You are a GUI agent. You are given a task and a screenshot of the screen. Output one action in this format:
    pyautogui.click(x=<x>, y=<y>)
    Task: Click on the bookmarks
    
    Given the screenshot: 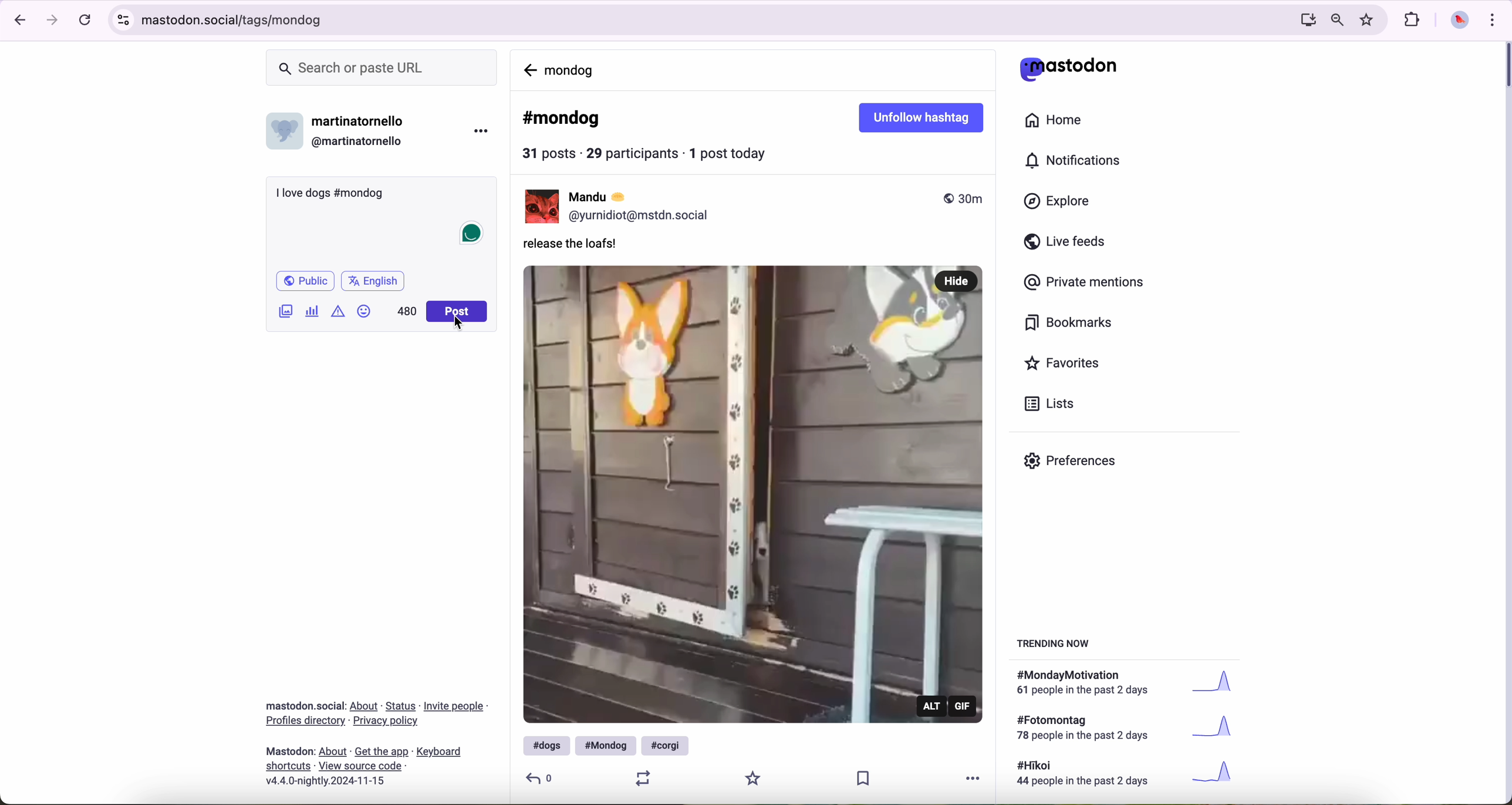 What is the action you would take?
    pyautogui.click(x=1069, y=323)
    